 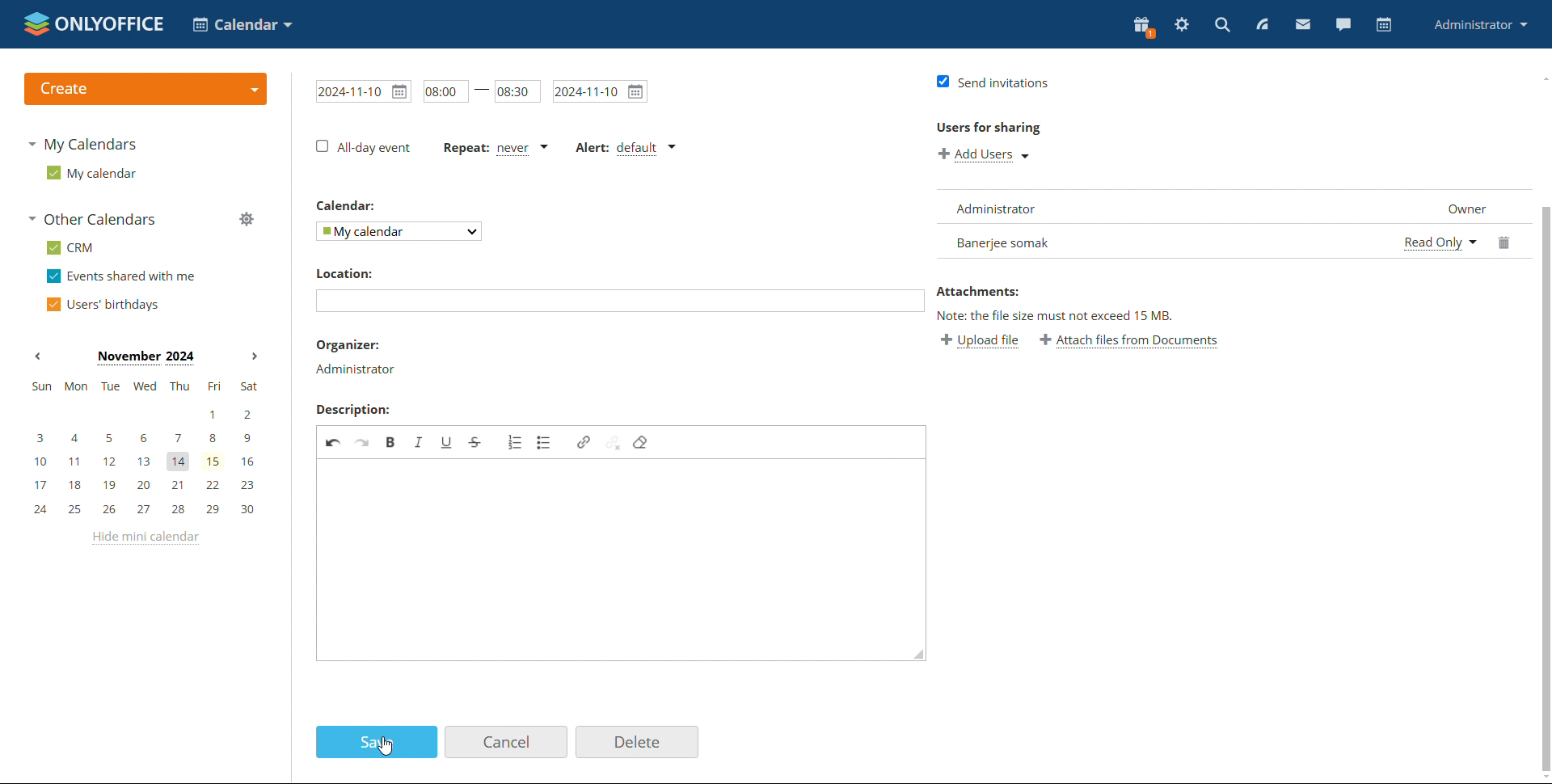 What do you see at coordinates (242, 24) in the screenshot?
I see `select application` at bounding box center [242, 24].